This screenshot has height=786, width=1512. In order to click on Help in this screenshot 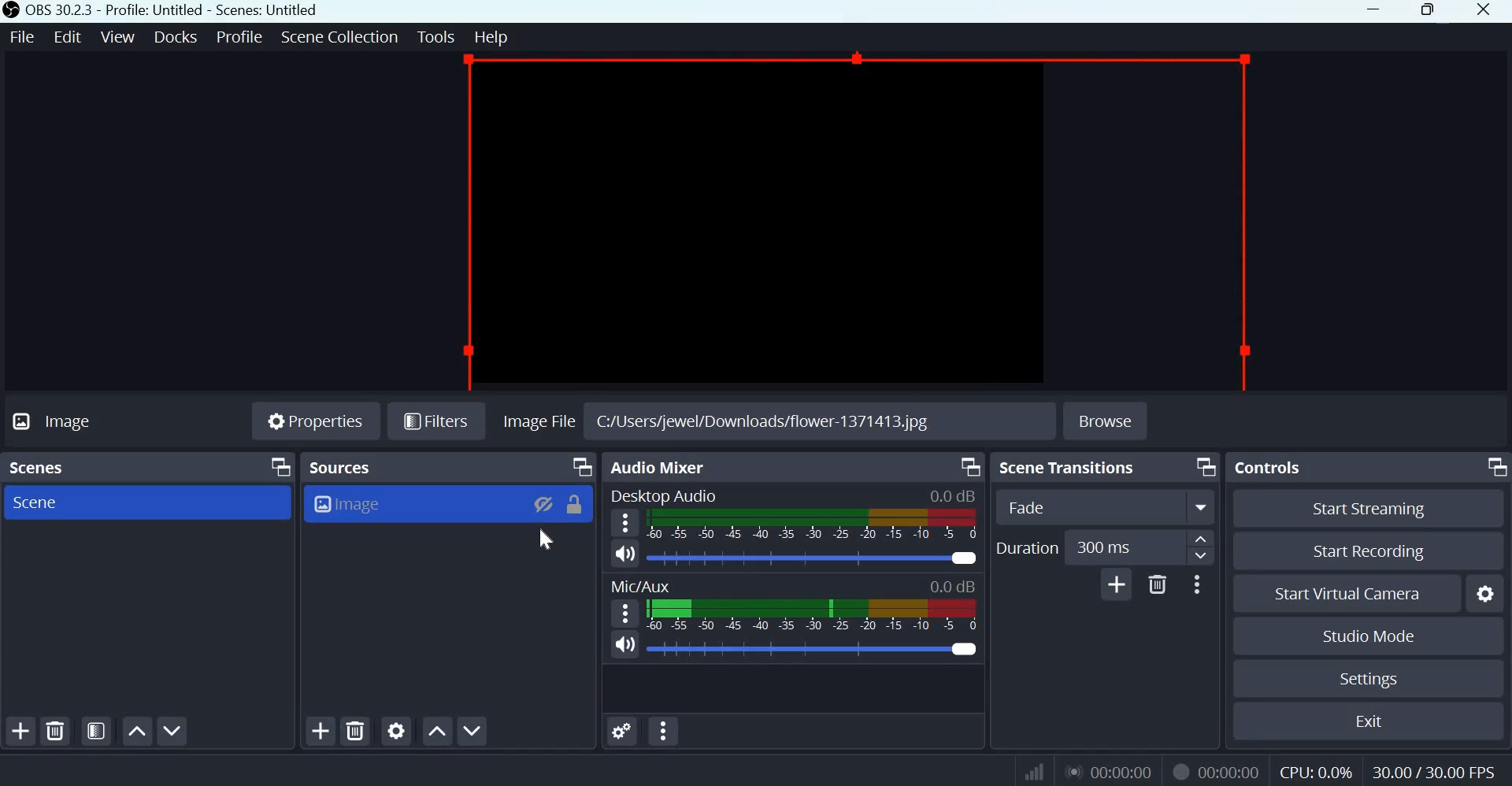, I will do `click(494, 36)`.